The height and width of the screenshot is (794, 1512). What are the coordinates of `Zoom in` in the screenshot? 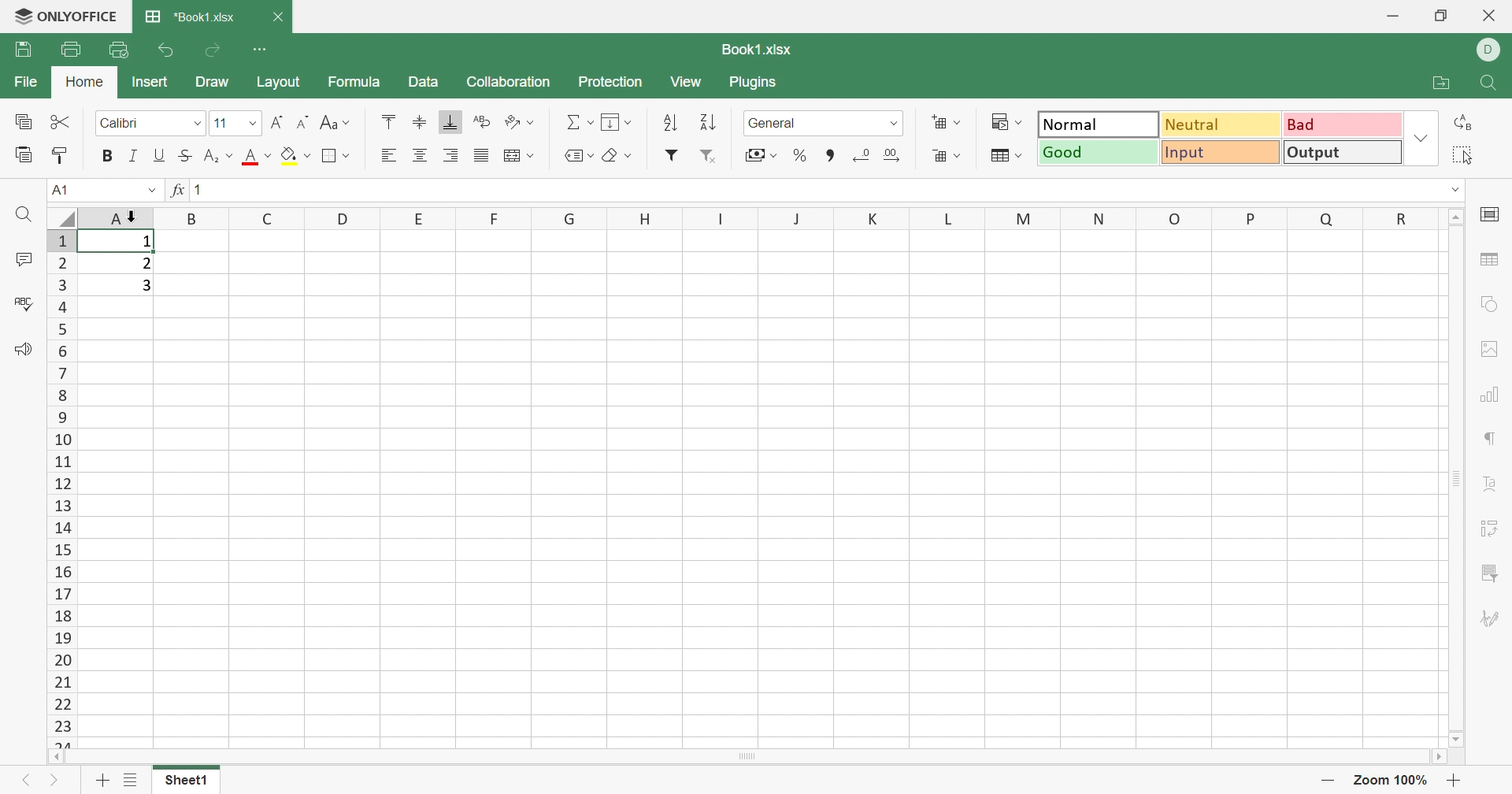 It's located at (1327, 782).